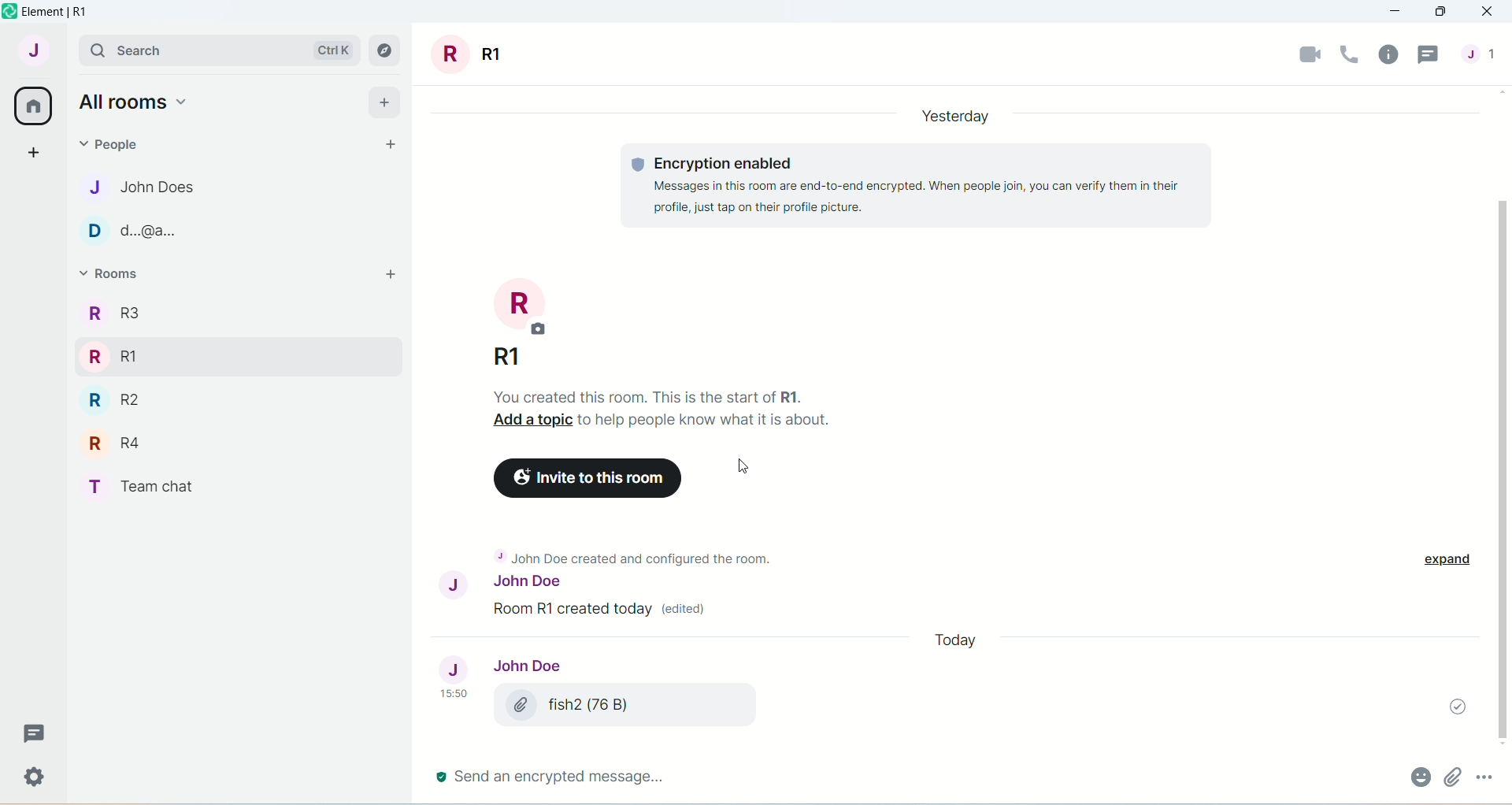 The image size is (1512, 805). What do you see at coordinates (134, 54) in the screenshot?
I see `search` at bounding box center [134, 54].